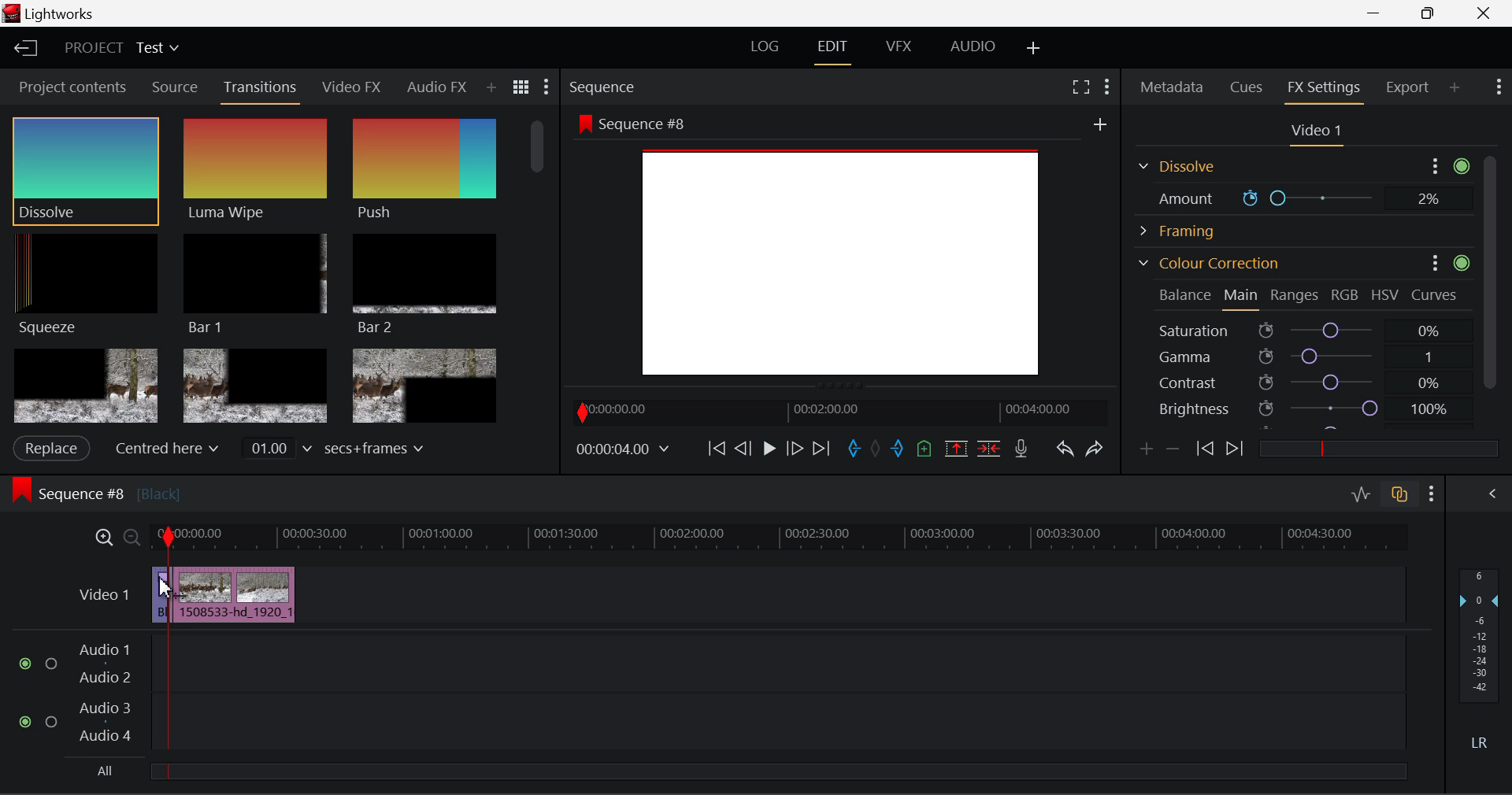 This screenshot has width=1512, height=795. I want to click on All, so click(102, 773).